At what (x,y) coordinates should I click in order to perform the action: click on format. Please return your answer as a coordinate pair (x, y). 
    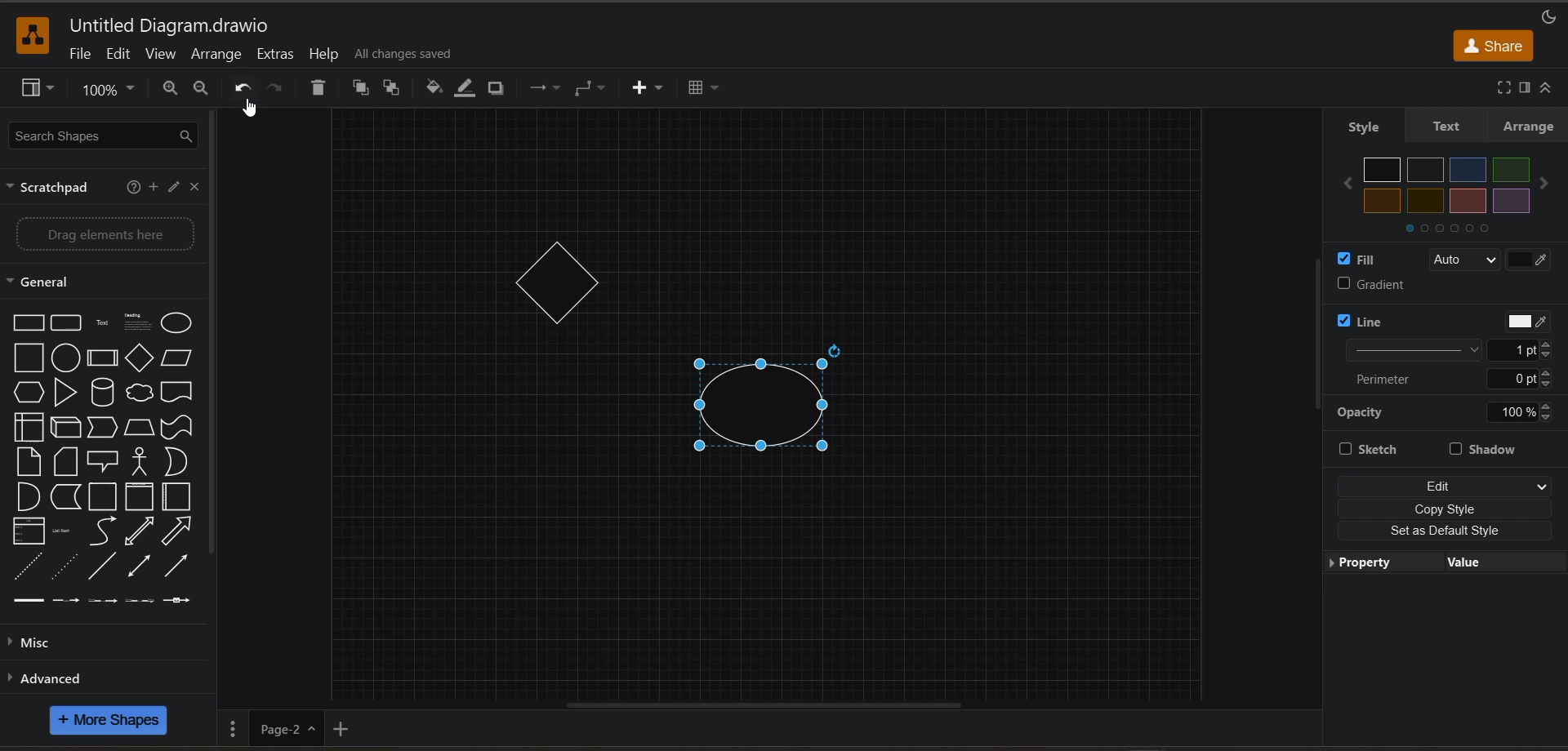
    Looking at the image, I should click on (1526, 87).